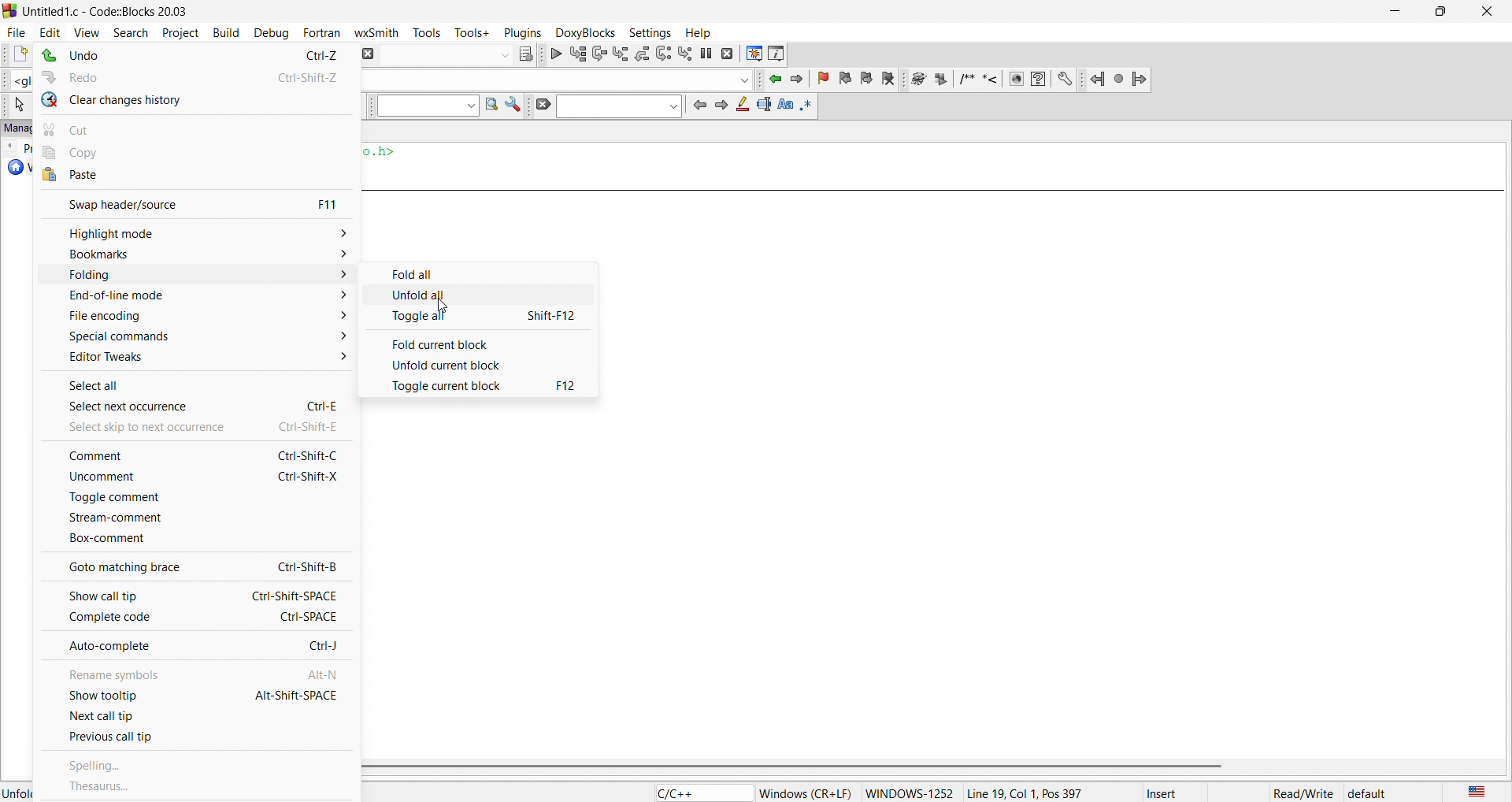 The image size is (1512, 802). I want to click on debugging window, so click(753, 54).